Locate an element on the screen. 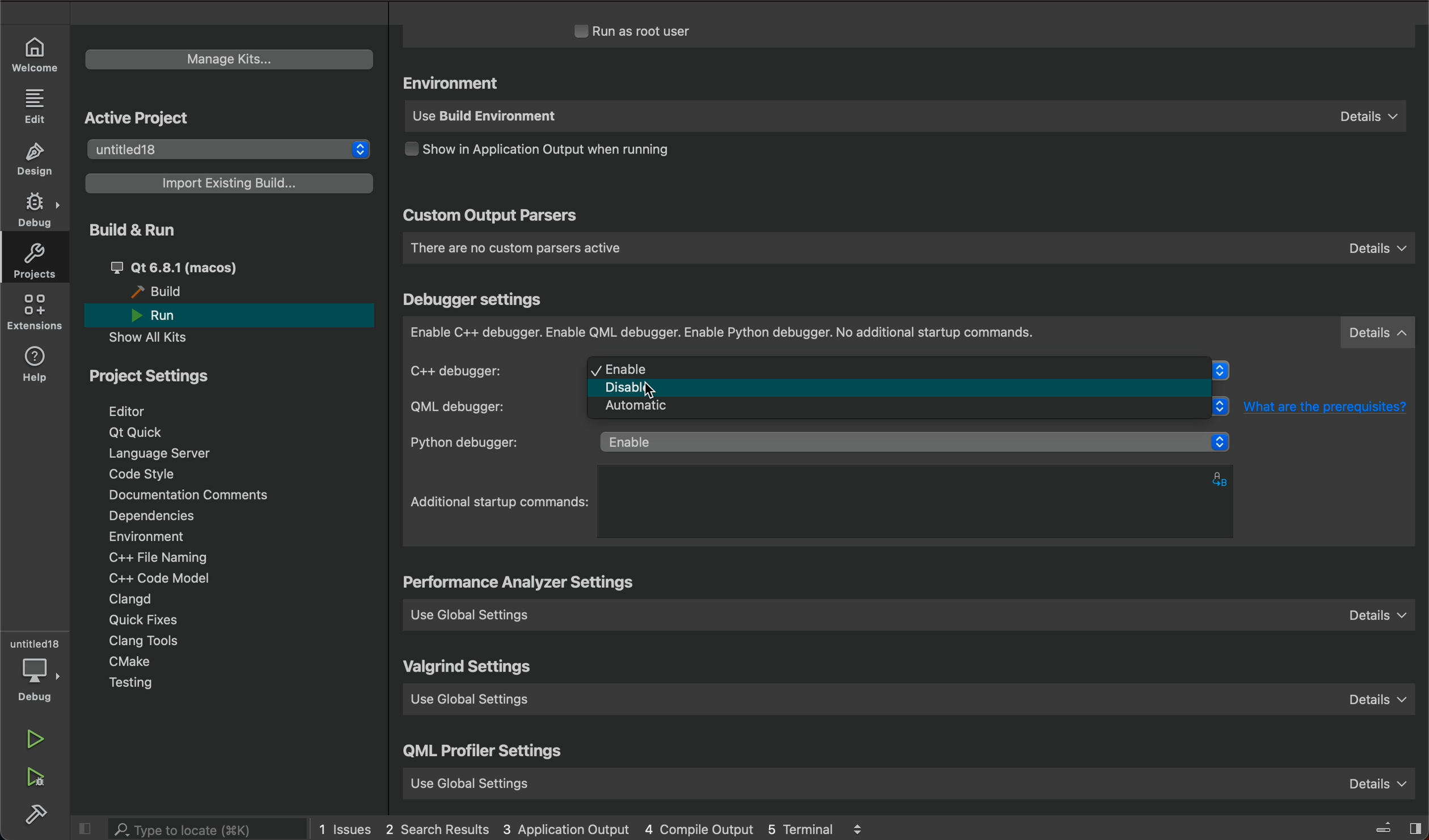 The width and height of the screenshot is (1429, 840). Documentation  is located at coordinates (202, 496).